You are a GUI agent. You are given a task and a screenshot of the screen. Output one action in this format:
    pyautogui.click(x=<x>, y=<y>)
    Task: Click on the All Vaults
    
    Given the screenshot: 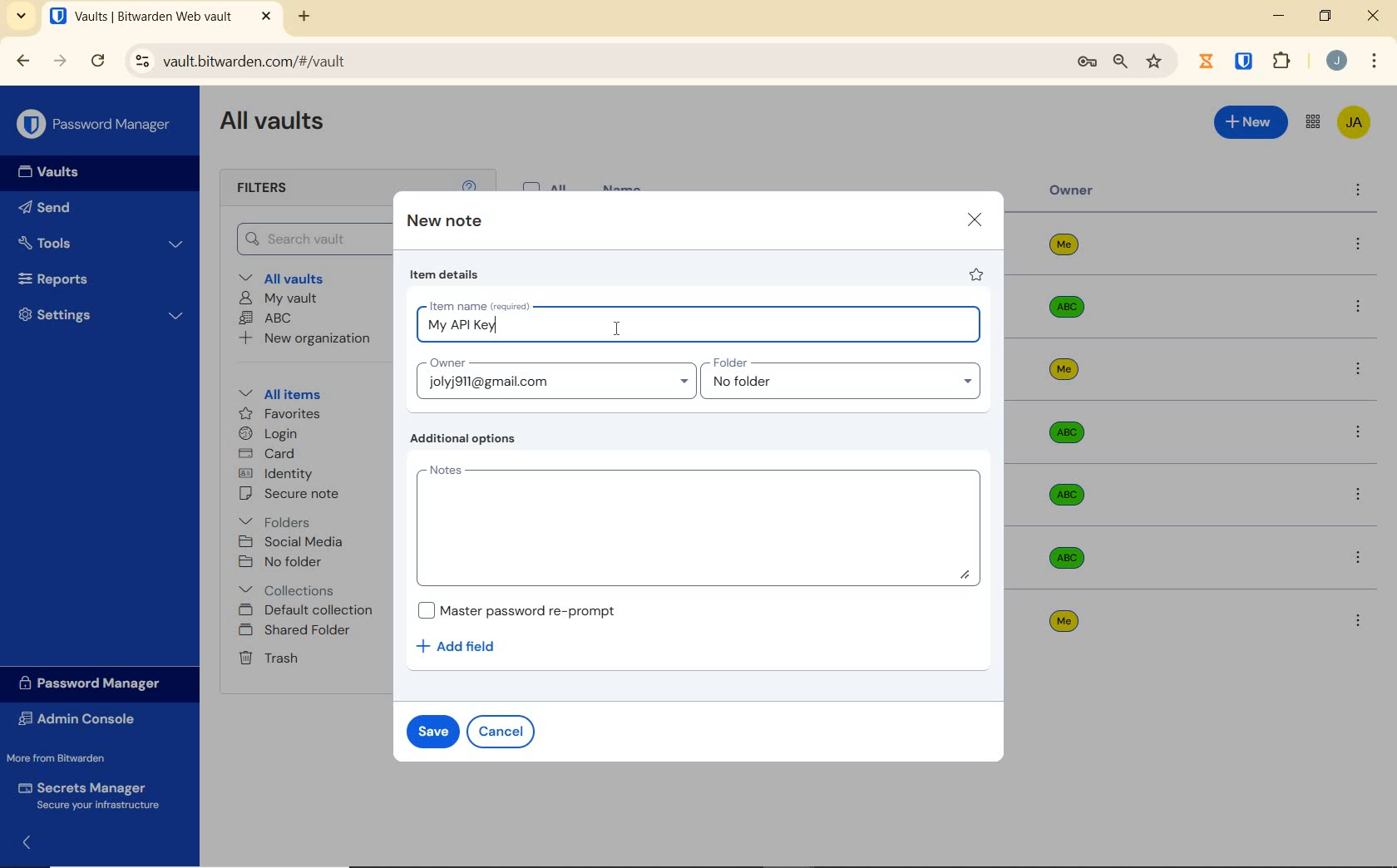 What is the action you would take?
    pyautogui.click(x=279, y=126)
    